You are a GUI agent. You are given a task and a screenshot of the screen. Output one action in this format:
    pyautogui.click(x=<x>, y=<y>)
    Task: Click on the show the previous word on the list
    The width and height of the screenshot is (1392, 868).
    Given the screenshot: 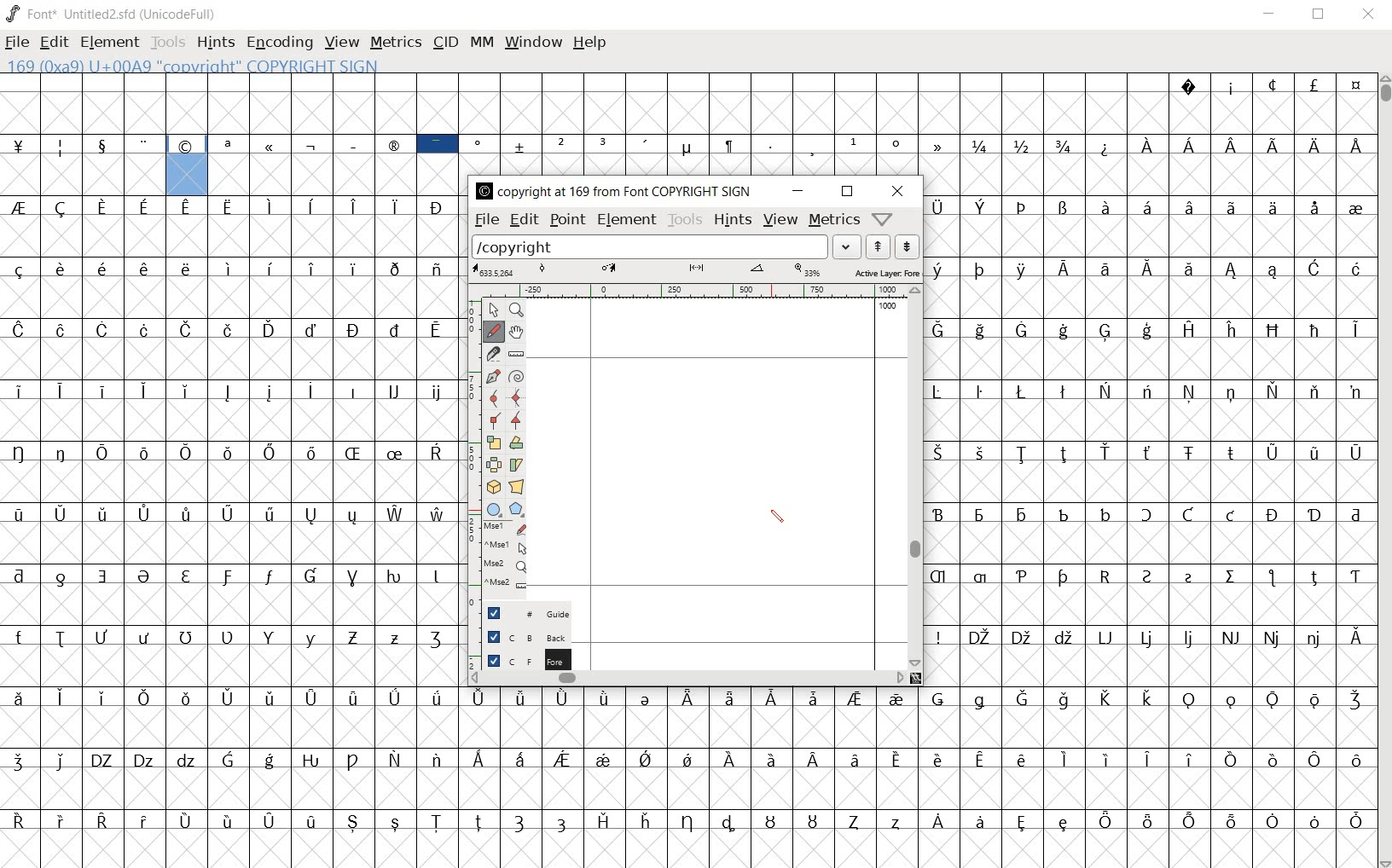 What is the action you would take?
    pyautogui.click(x=906, y=246)
    